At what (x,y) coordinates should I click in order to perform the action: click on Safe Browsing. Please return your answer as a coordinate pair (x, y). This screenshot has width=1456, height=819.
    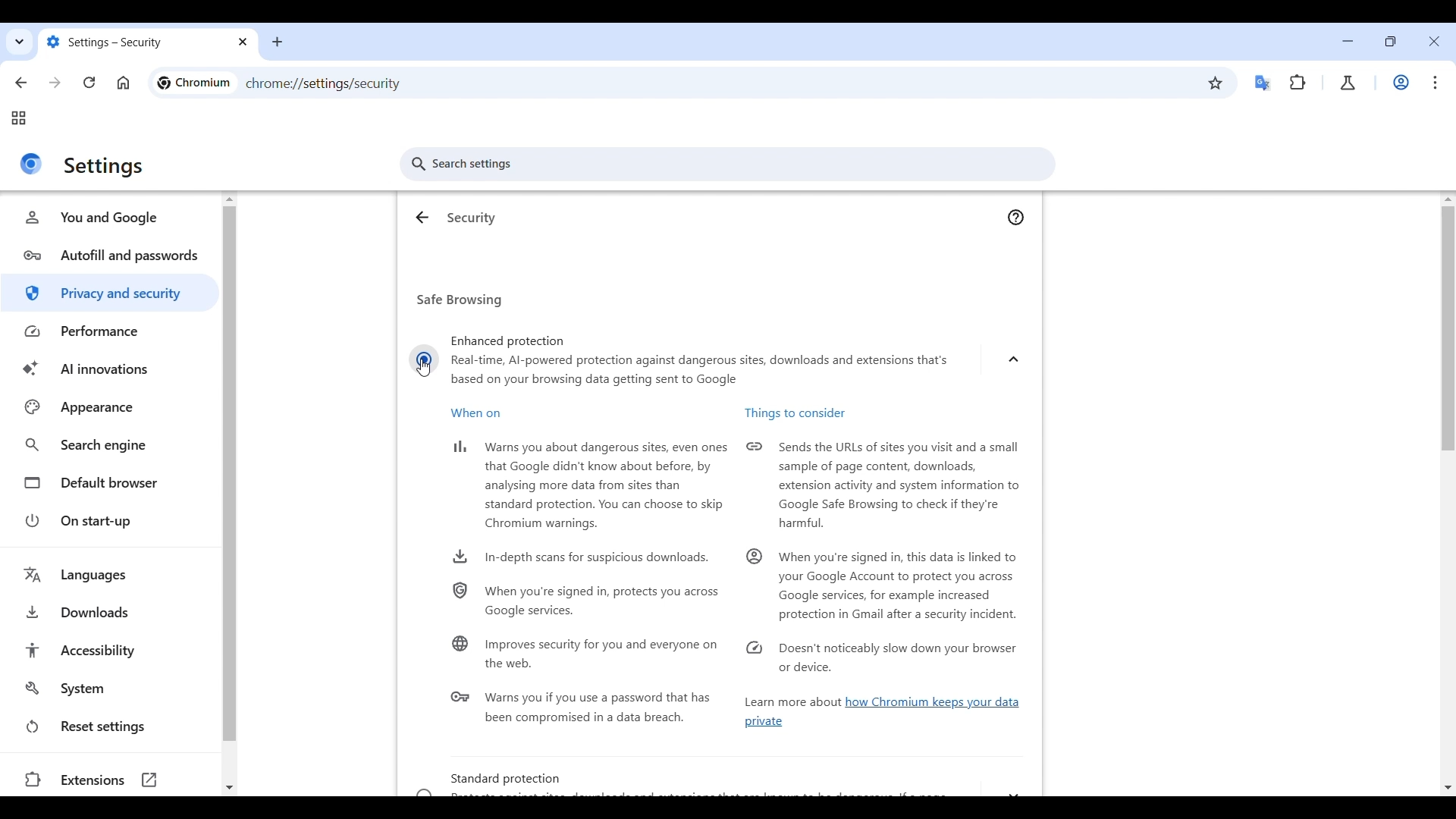
    Looking at the image, I should click on (463, 300).